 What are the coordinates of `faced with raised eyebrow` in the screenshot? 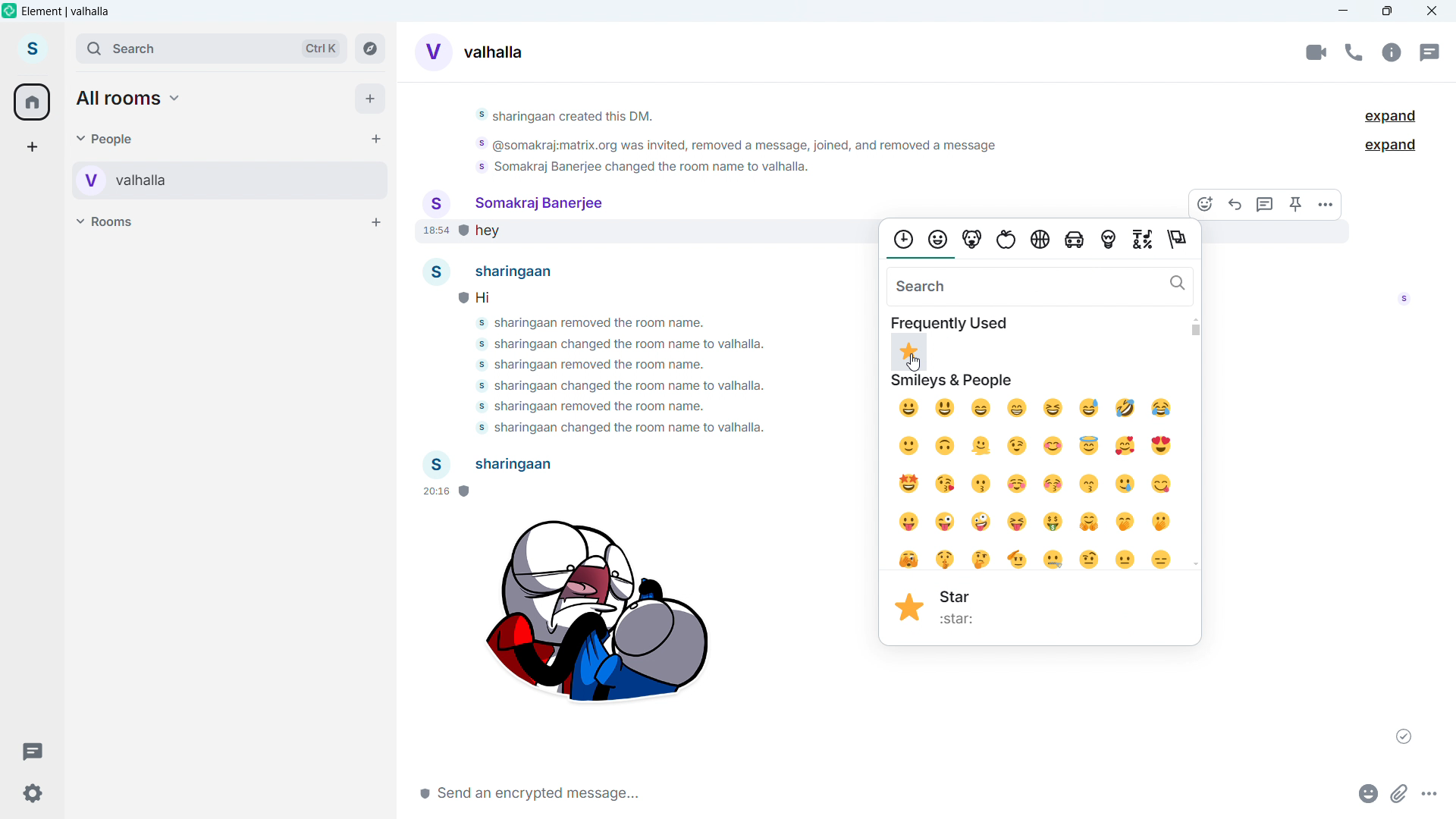 It's located at (1092, 559).